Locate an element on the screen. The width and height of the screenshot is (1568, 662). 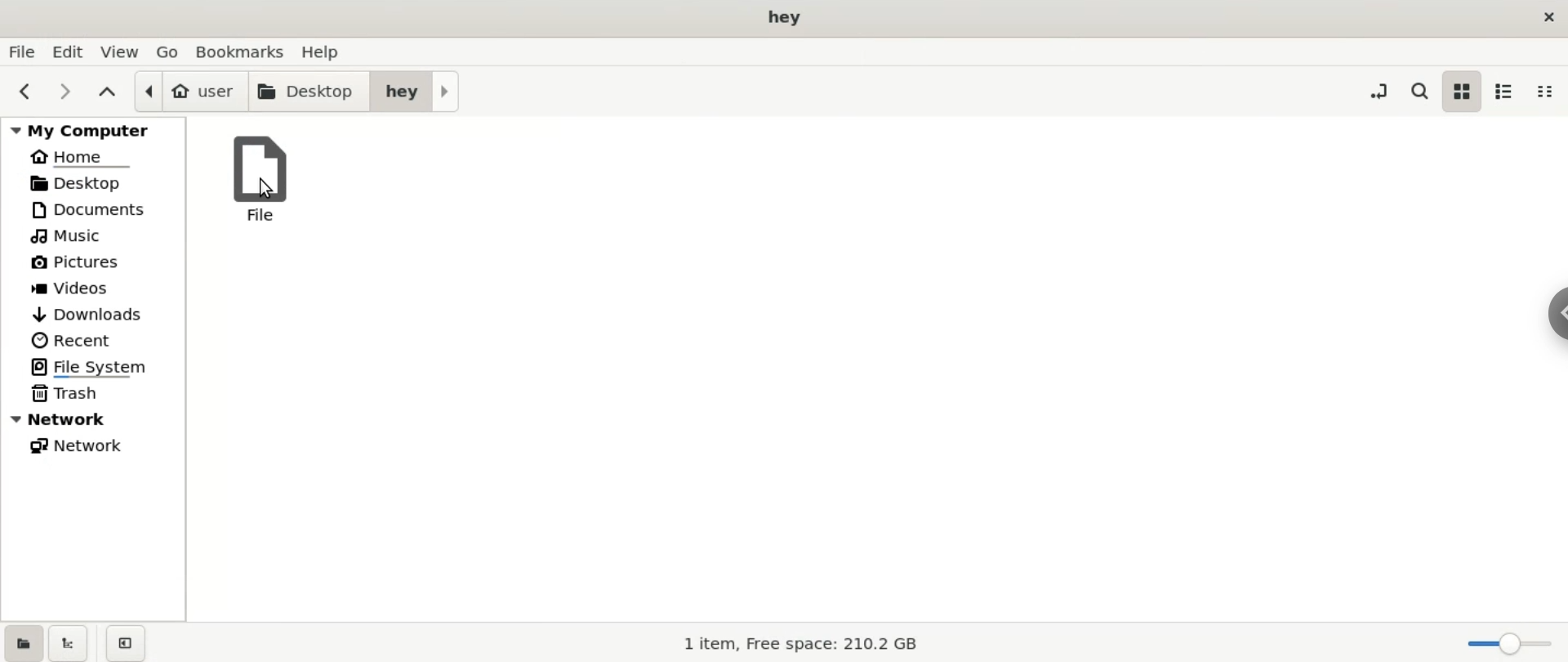
hey is located at coordinates (417, 92).